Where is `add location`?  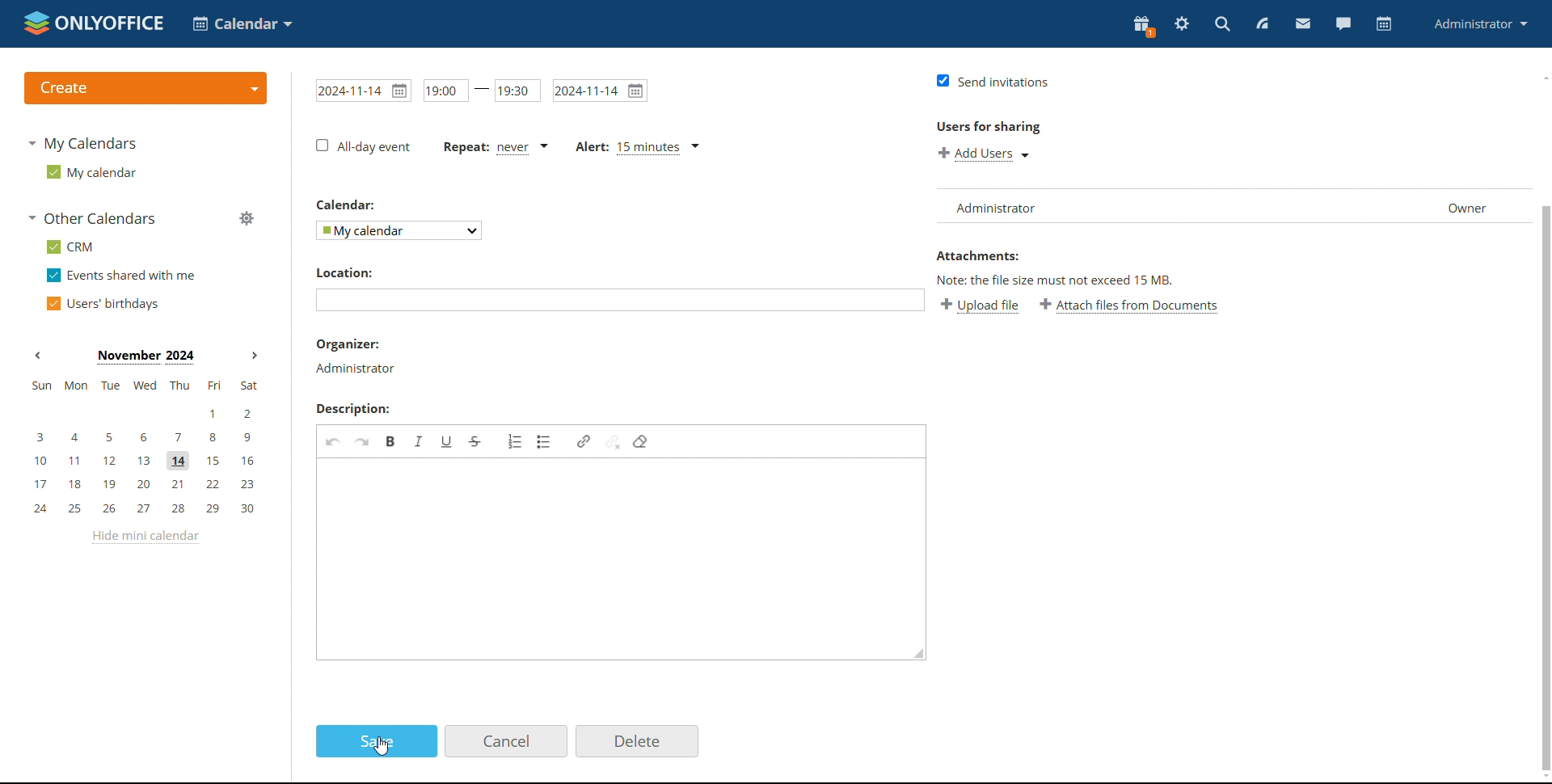 add location is located at coordinates (614, 297).